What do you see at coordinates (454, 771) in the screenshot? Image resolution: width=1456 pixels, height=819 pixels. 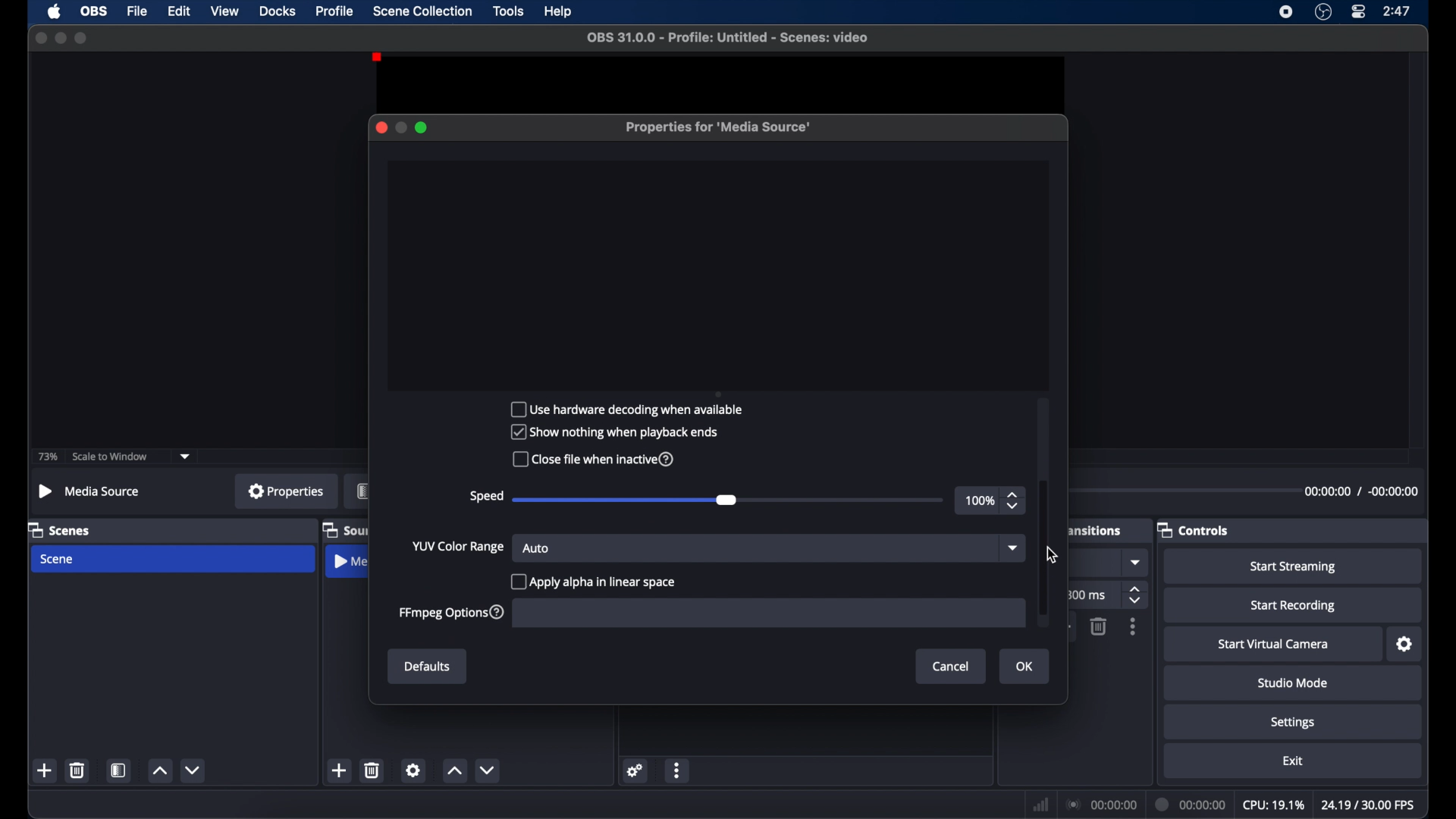 I see `increment button` at bounding box center [454, 771].